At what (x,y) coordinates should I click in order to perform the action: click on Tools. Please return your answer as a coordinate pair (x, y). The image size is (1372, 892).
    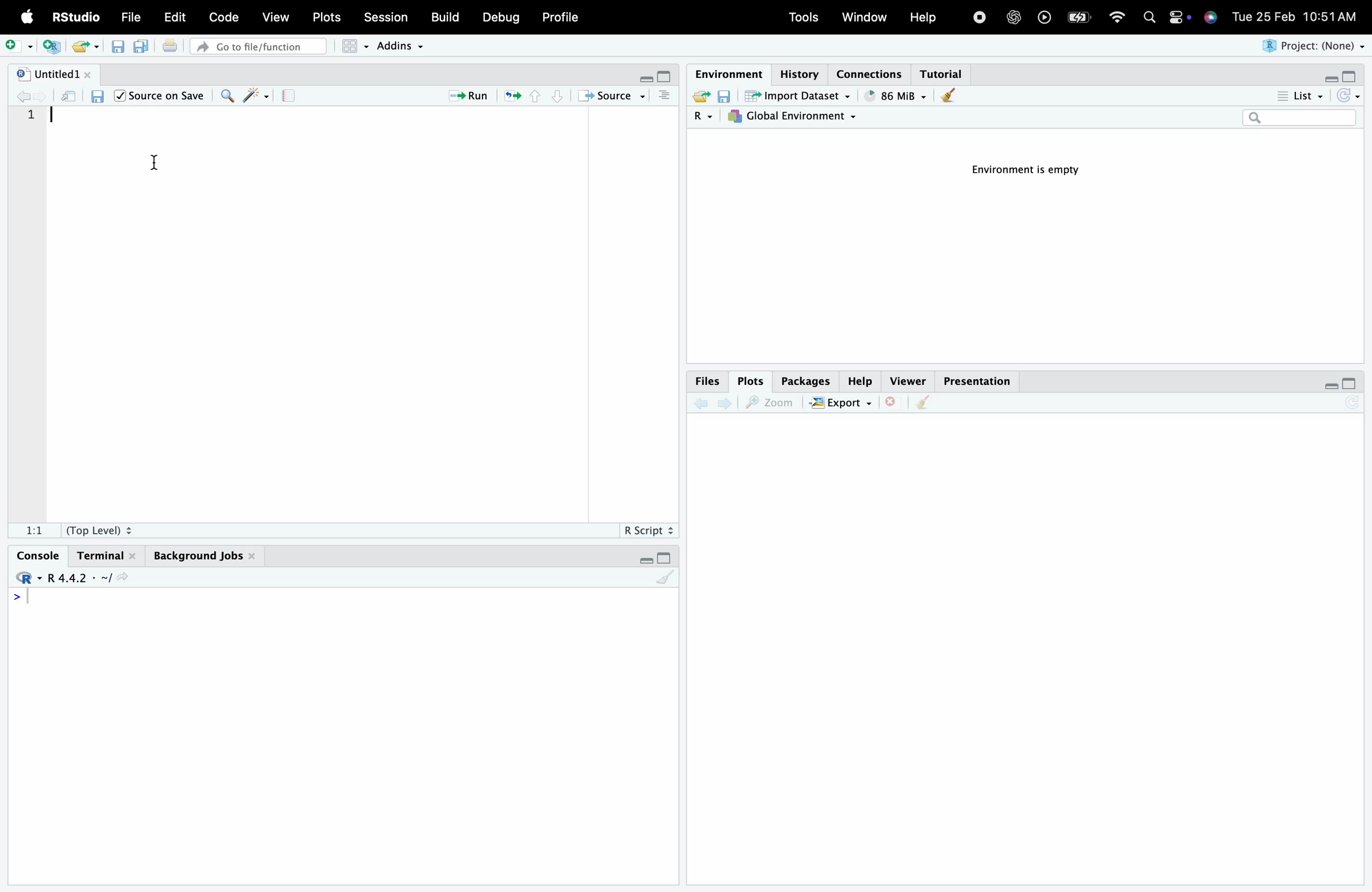
    Looking at the image, I should click on (803, 17).